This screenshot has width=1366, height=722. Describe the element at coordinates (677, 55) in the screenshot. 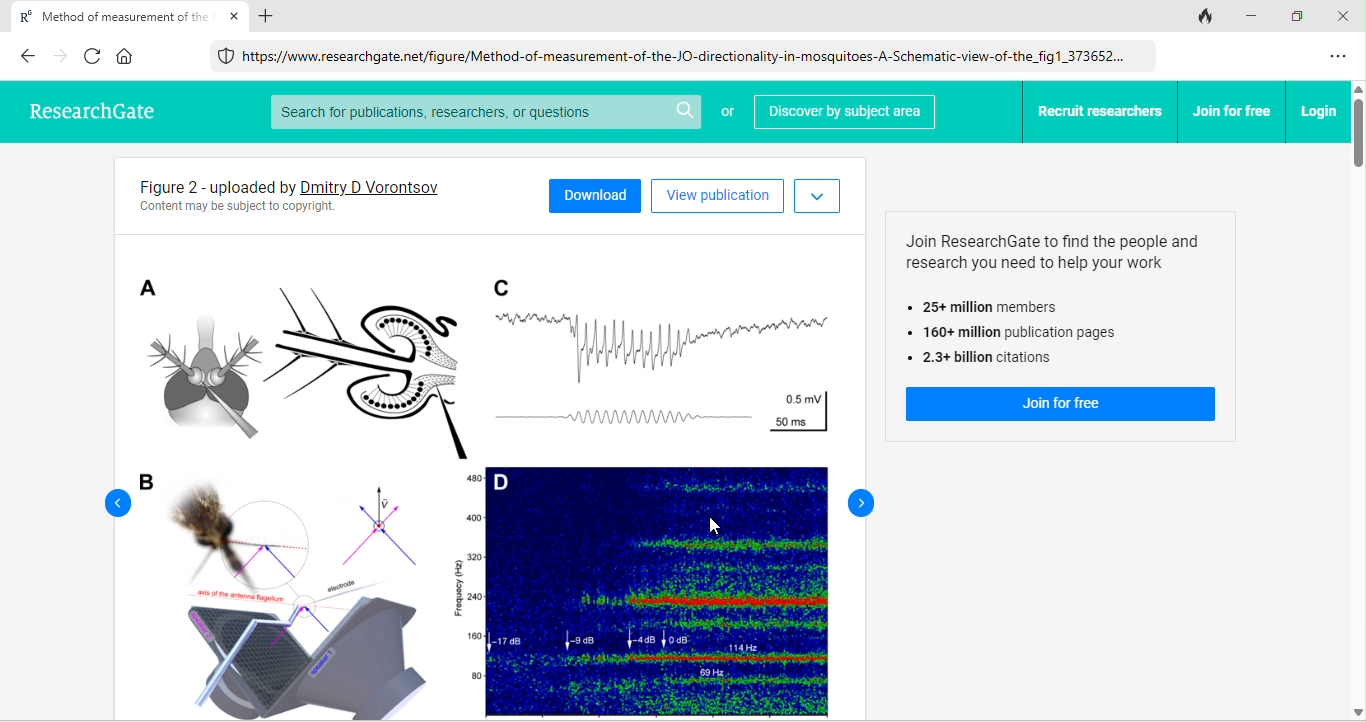

I see `https web link` at that location.